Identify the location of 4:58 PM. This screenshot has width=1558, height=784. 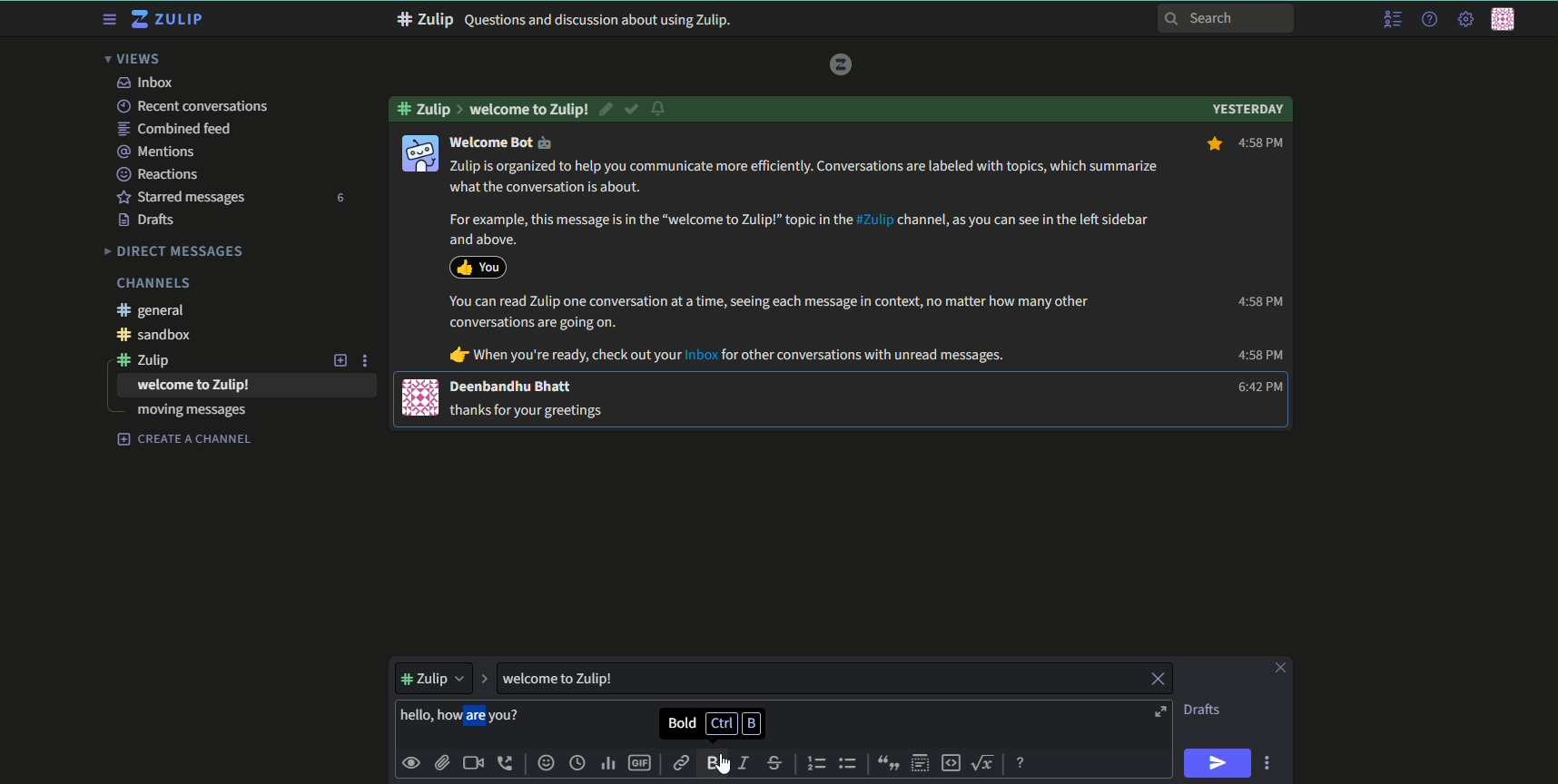
(1245, 144).